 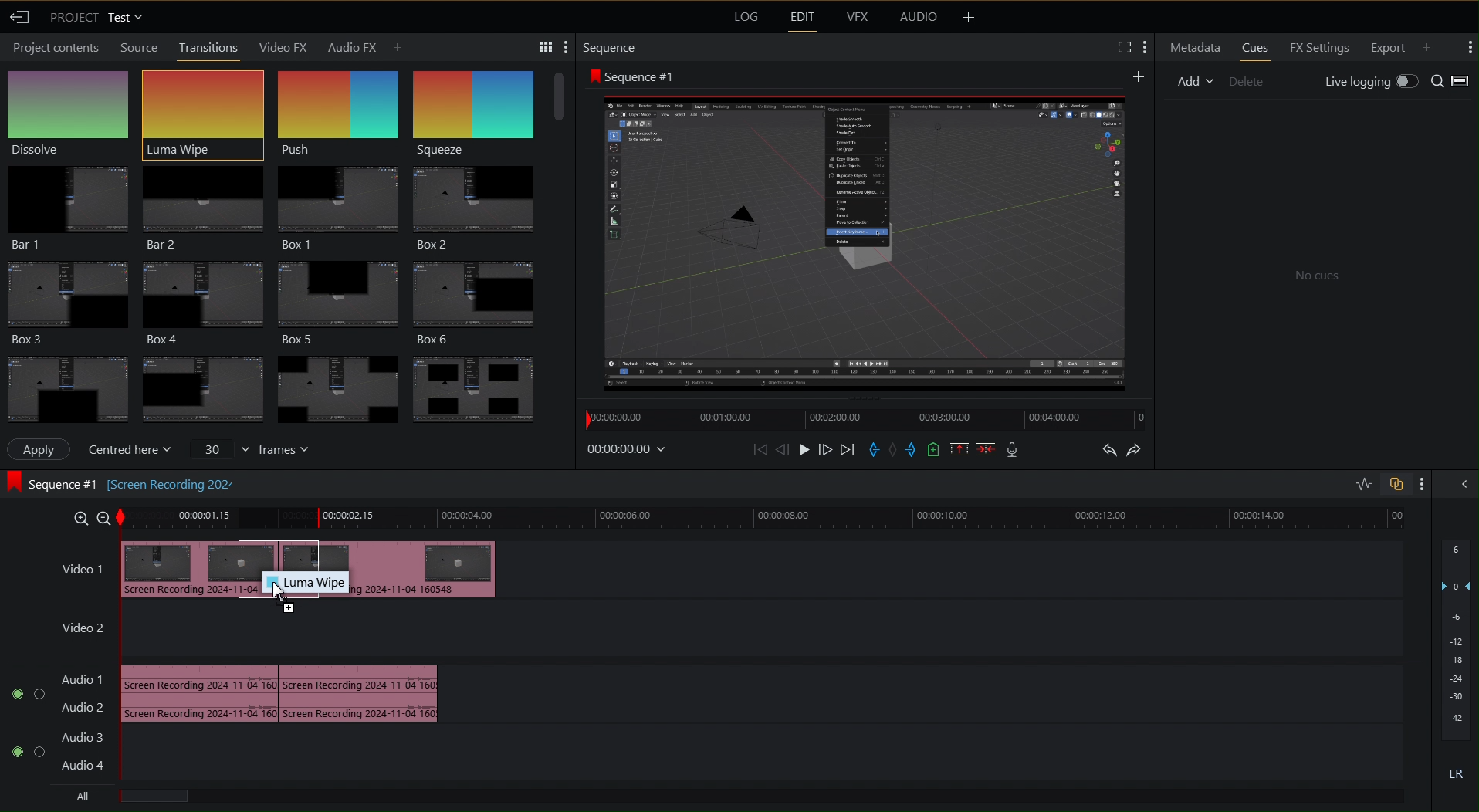 I want to click on Box 4, so click(x=201, y=299).